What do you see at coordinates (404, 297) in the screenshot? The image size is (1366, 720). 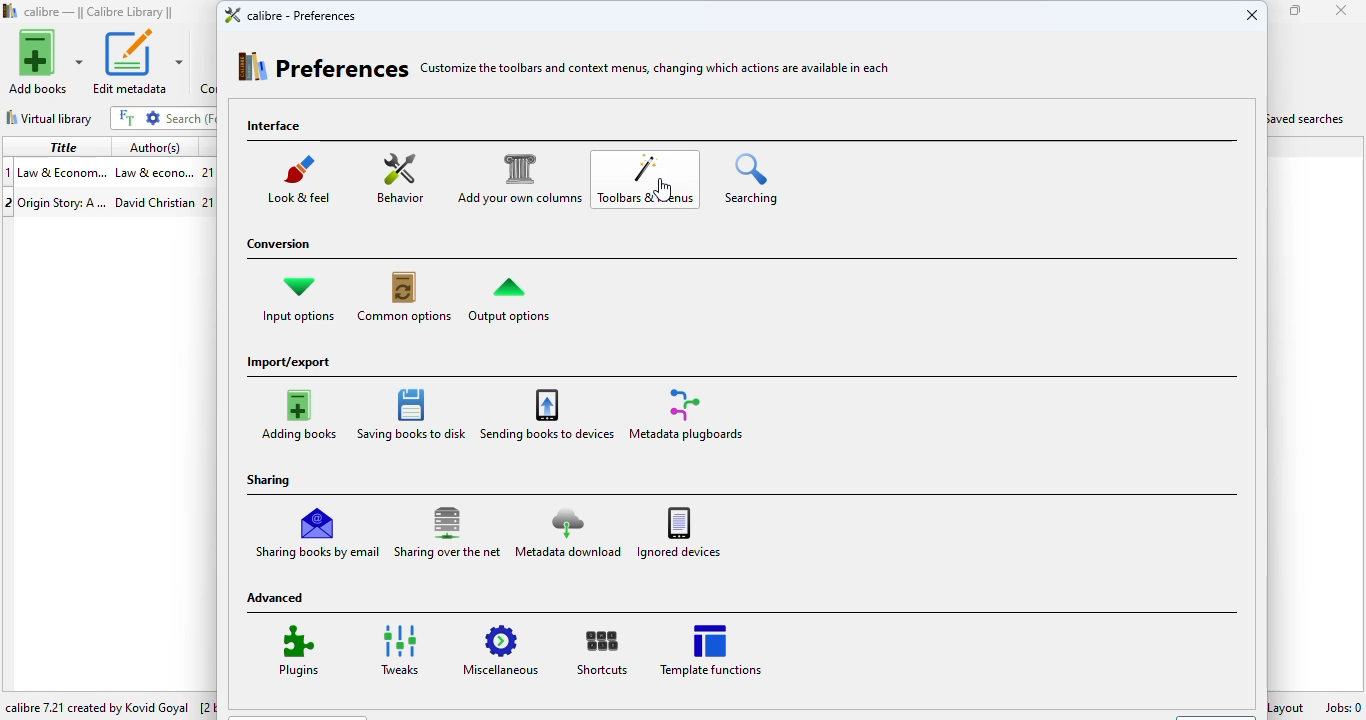 I see `common options` at bounding box center [404, 297].